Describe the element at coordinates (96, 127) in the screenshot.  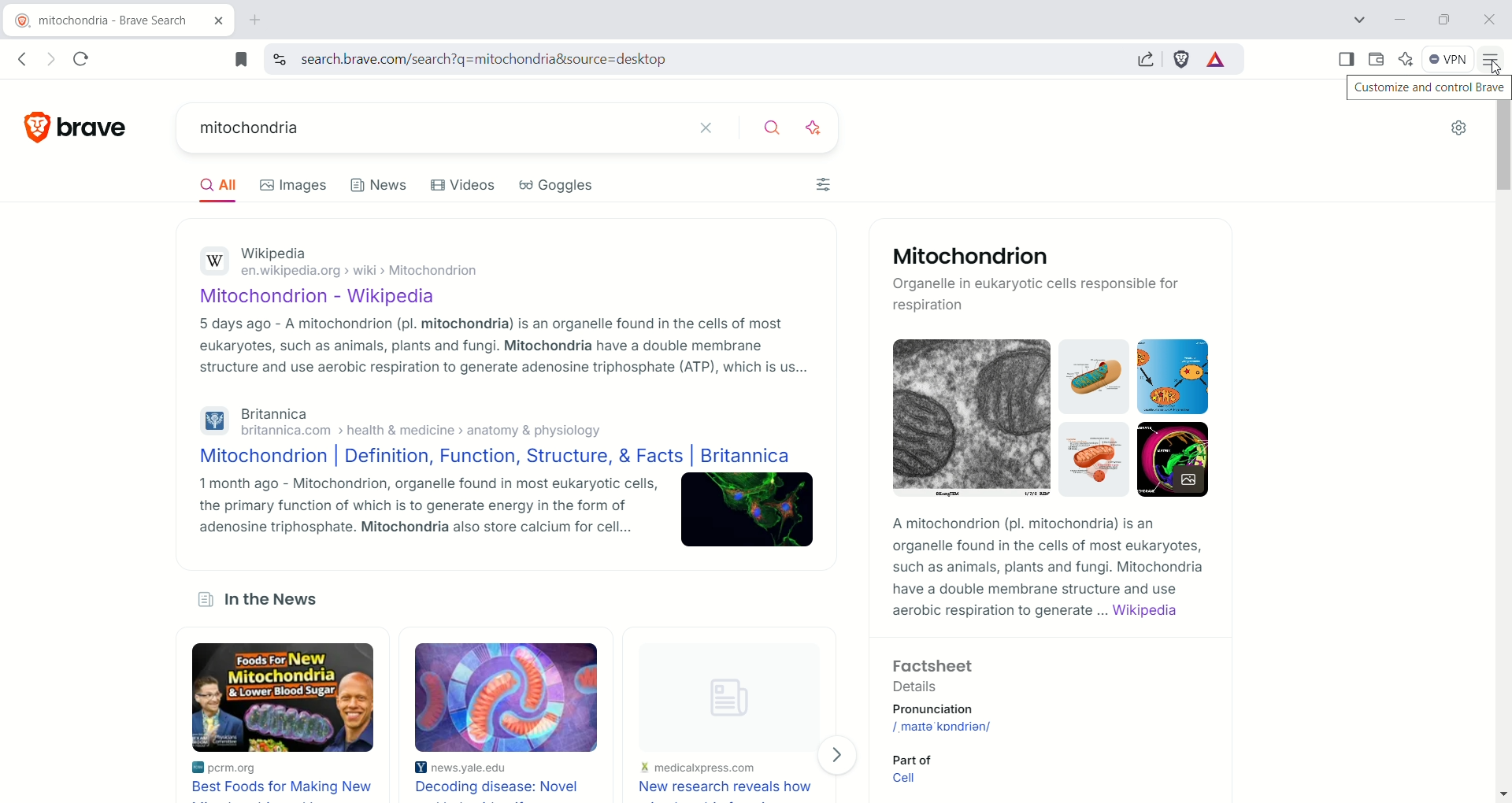
I see `brave` at that location.